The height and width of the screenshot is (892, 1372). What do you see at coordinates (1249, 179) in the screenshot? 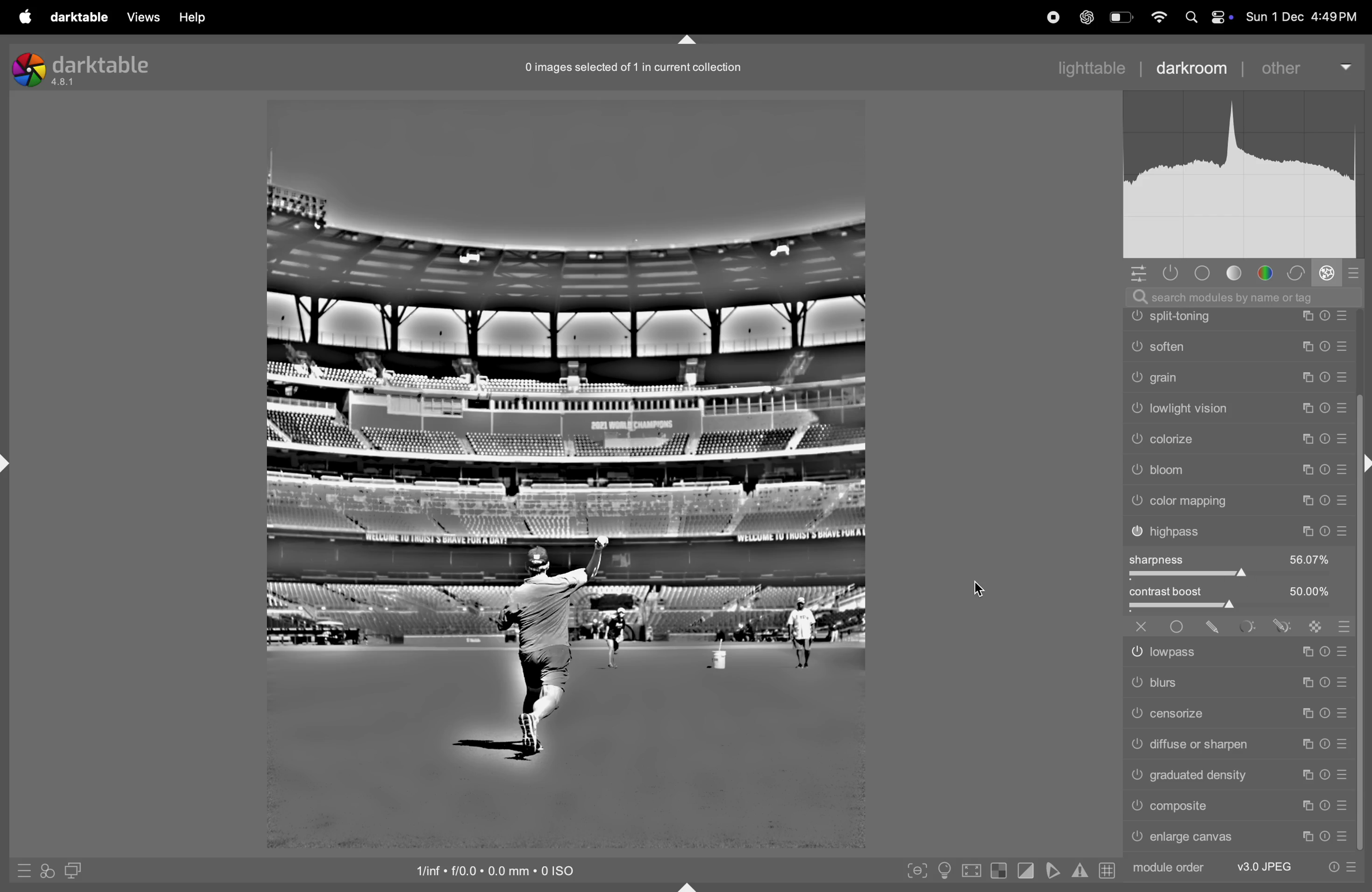
I see `histogram` at bounding box center [1249, 179].